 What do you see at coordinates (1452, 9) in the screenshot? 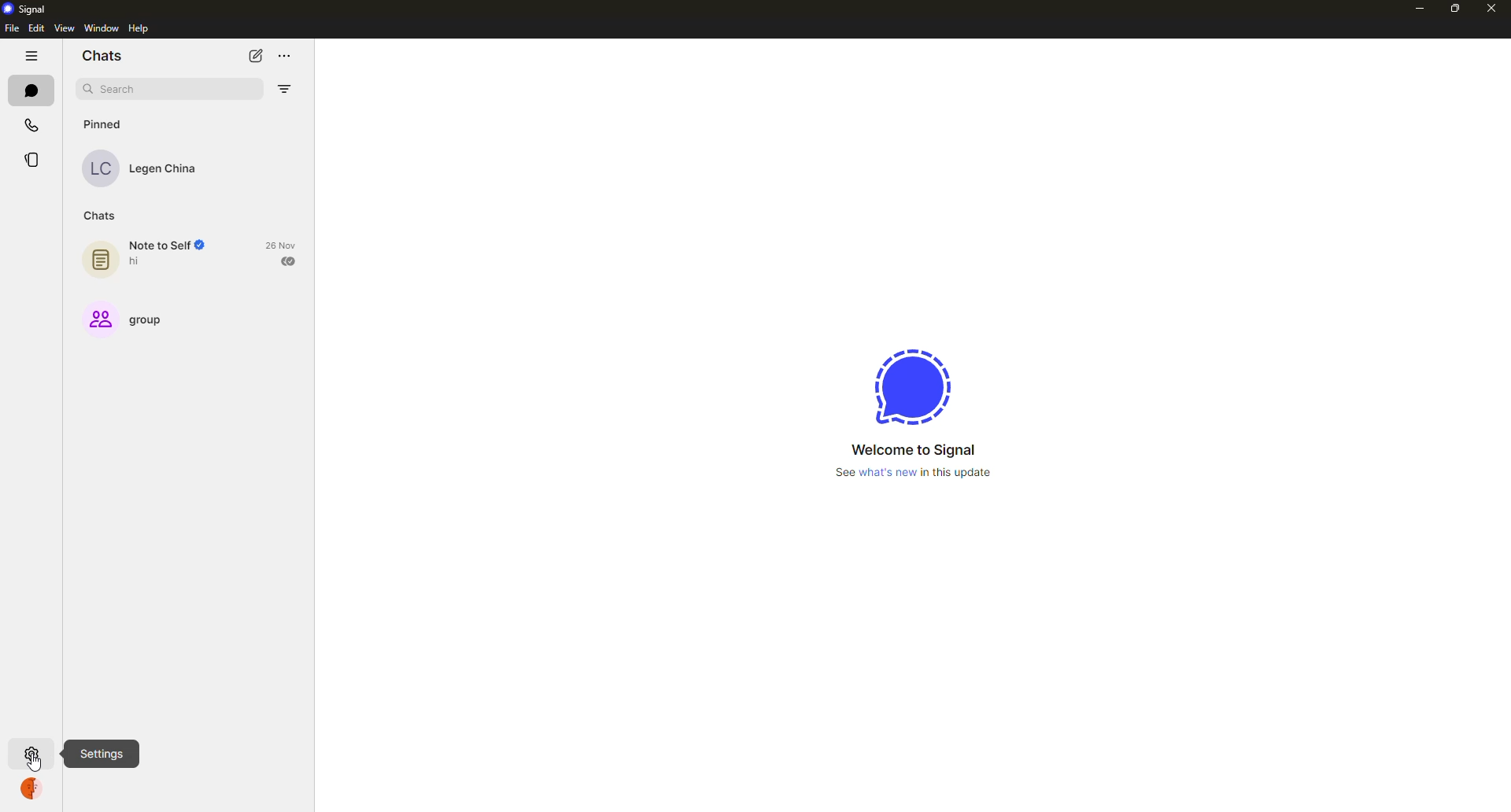
I see `maximize` at bounding box center [1452, 9].